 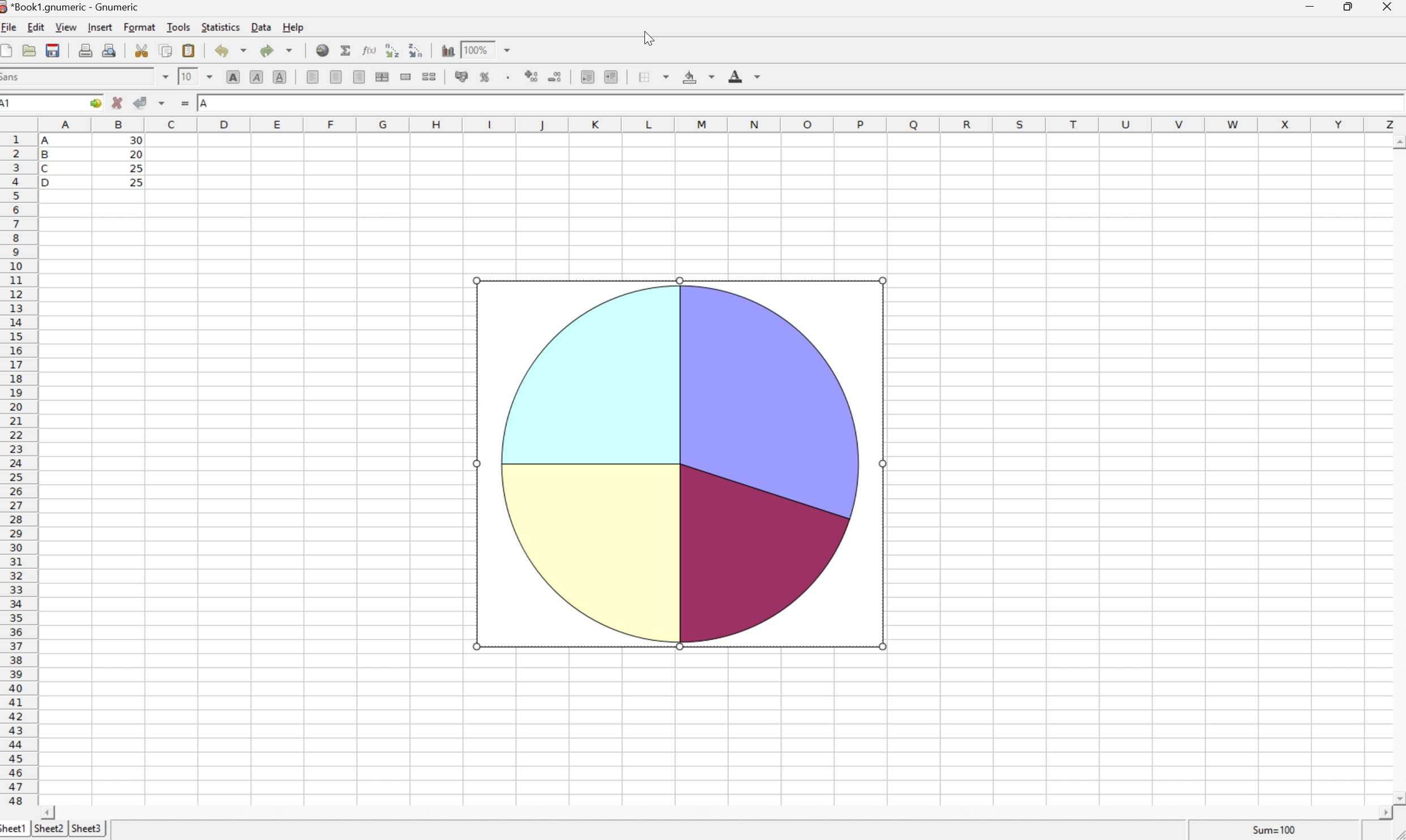 I want to click on Format selection as percentage, so click(x=486, y=79).